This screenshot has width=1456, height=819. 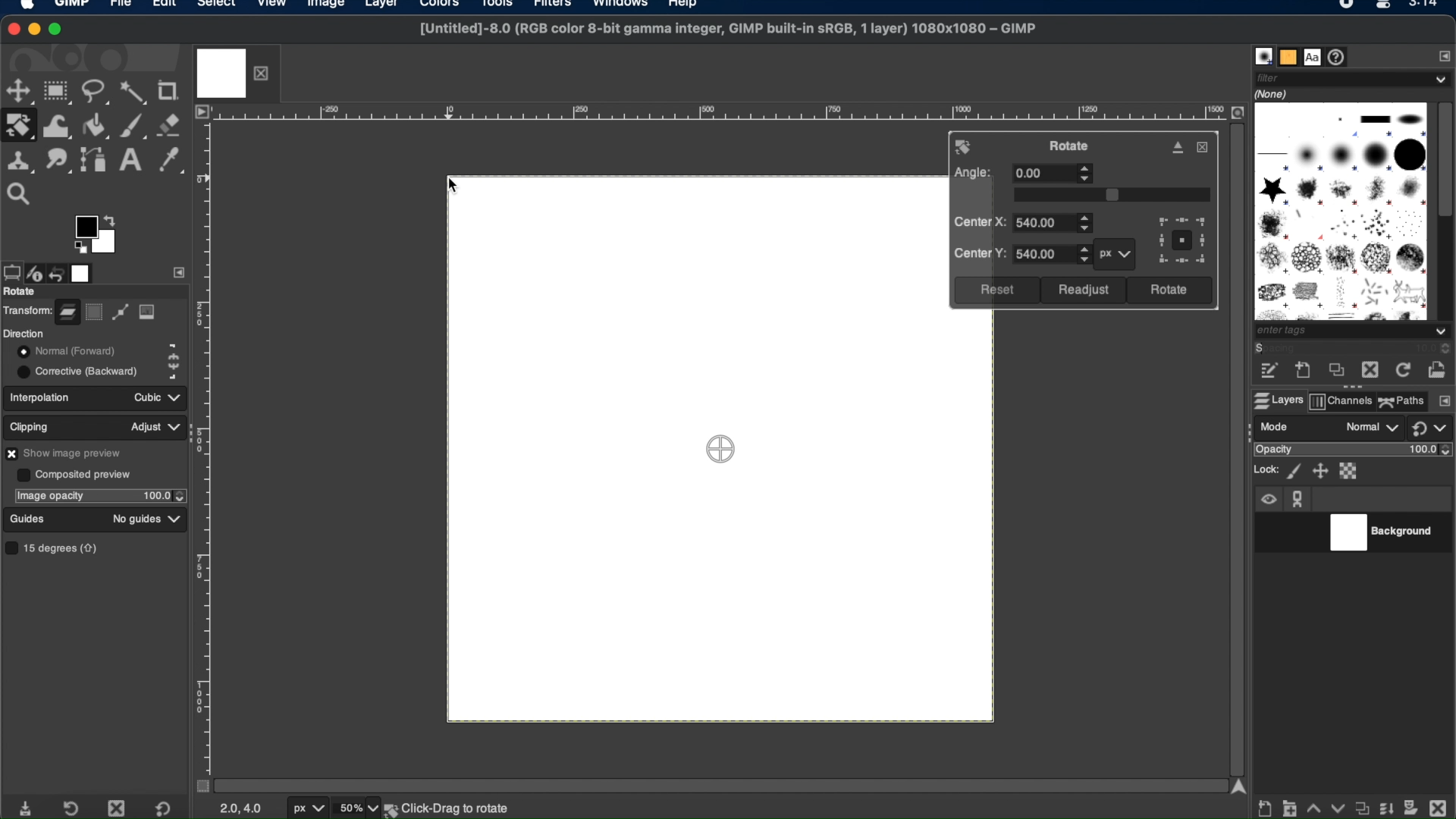 I want to click on scroll bar, so click(x=1235, y=445).